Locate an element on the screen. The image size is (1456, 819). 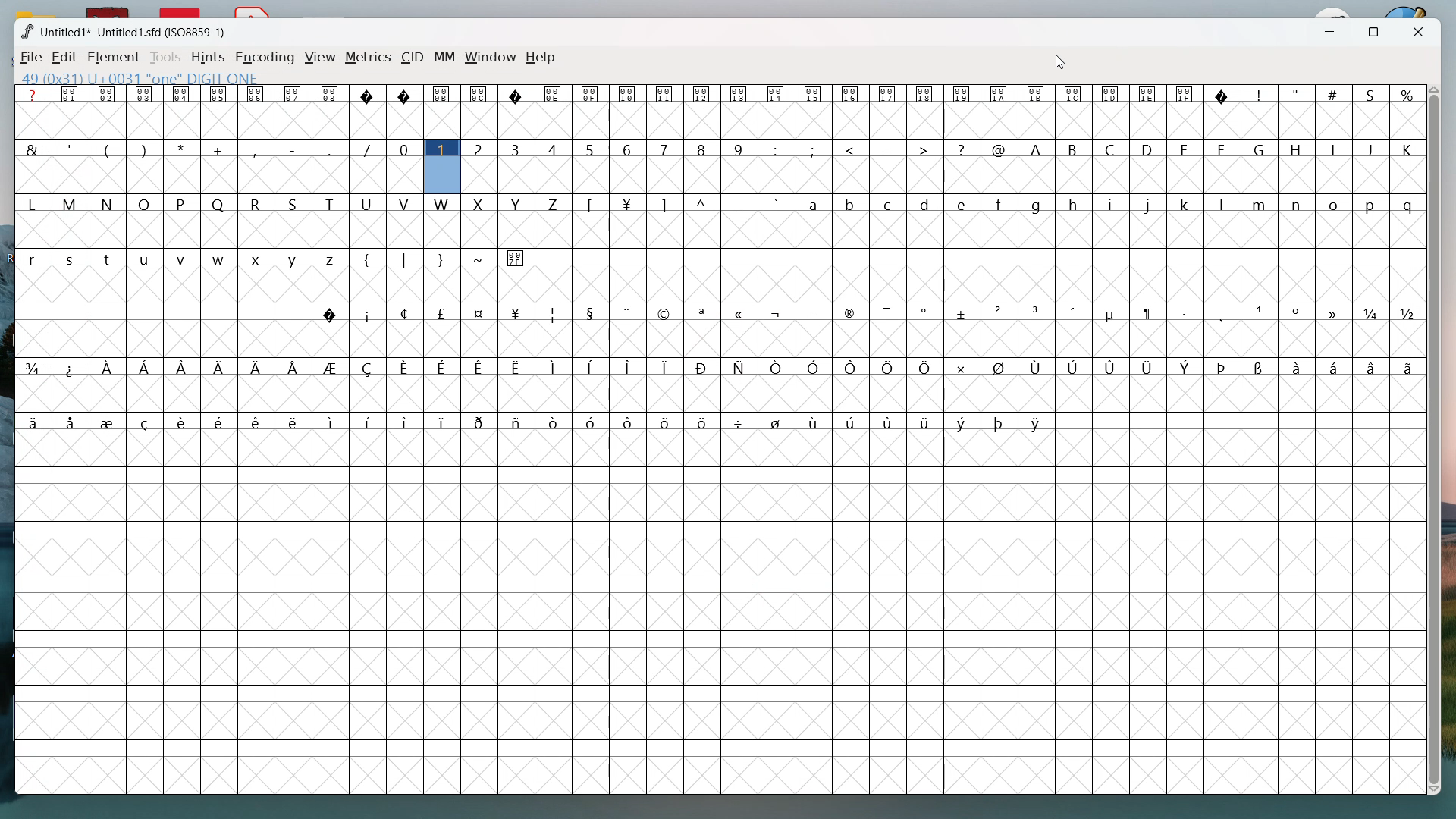
j is located at coordinates (1150, 205).